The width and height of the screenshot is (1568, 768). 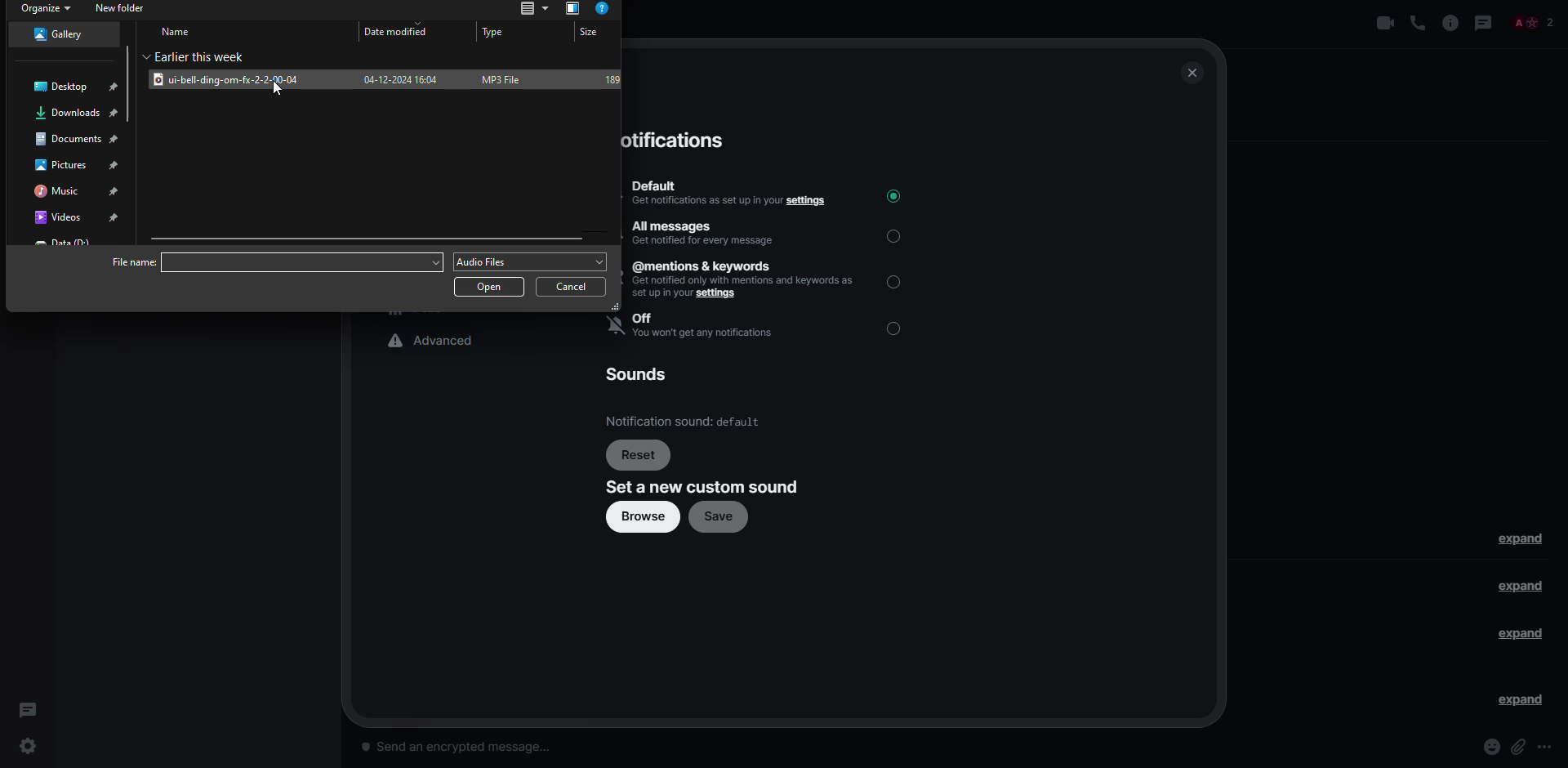 I want to click on video, so click(x=1387, y=23).